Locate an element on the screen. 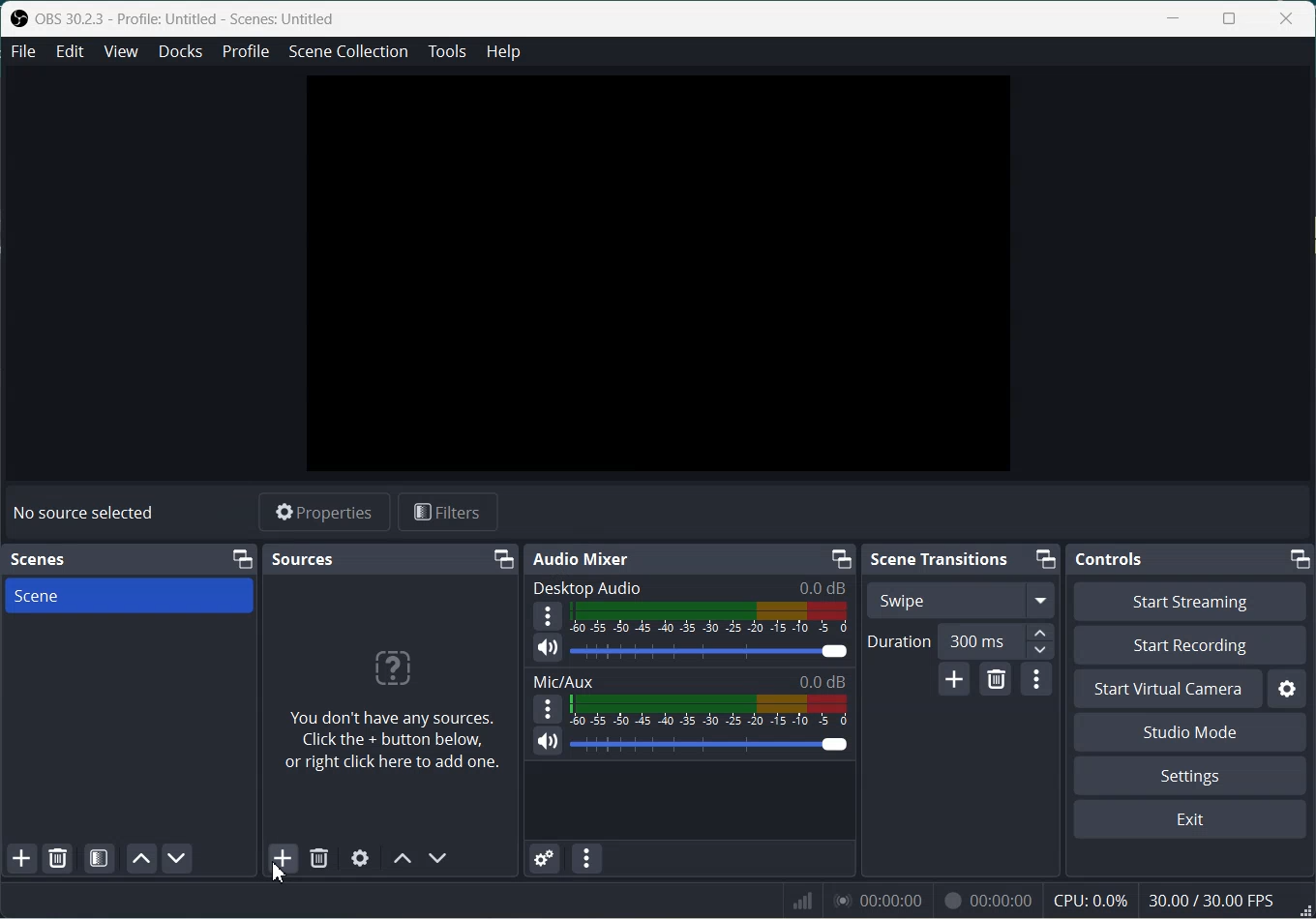 Image resolution: width=1316 pixels, height=919 pixels. Advance Audio properties is located at coordinates (545, 858).